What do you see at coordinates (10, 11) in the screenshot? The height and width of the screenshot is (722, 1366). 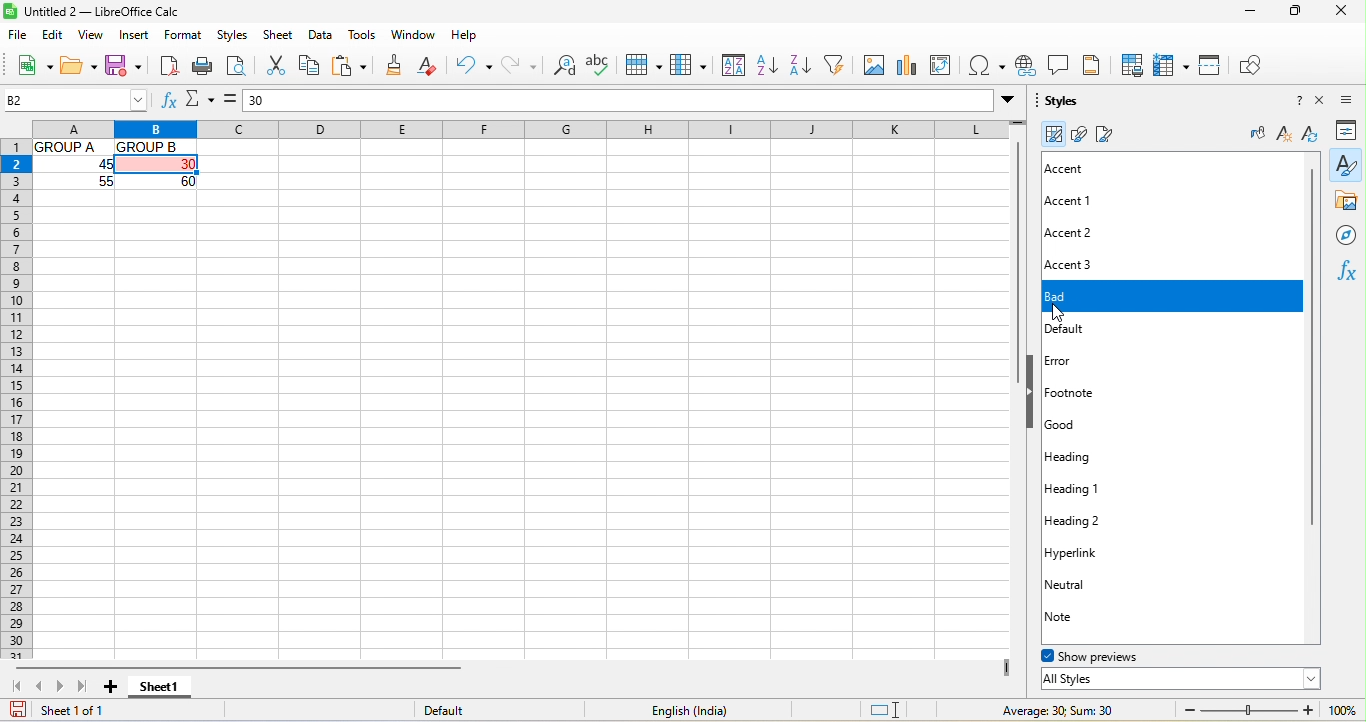 I see `LibreOffice Logo` at bounding box center [10, 11].